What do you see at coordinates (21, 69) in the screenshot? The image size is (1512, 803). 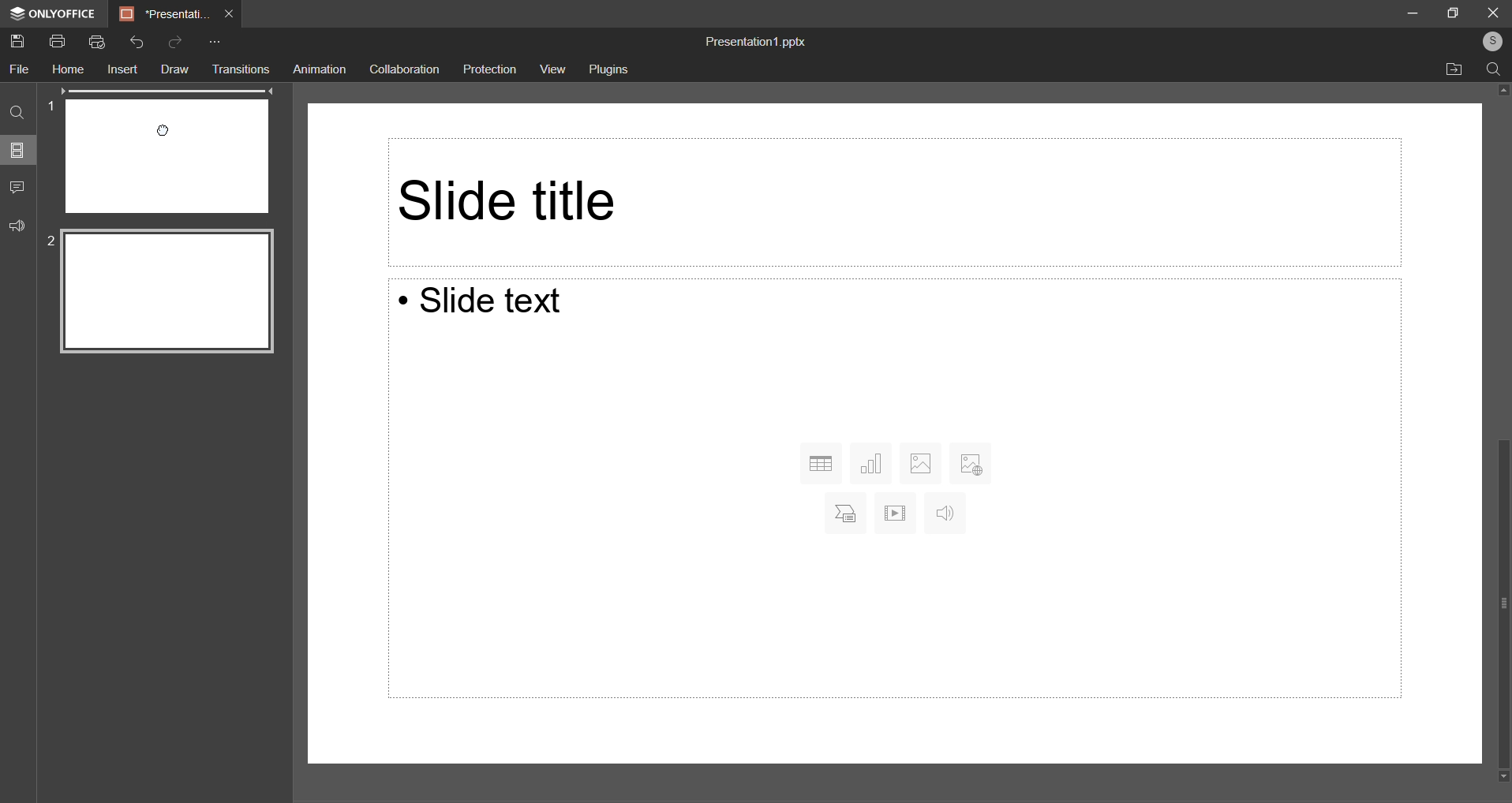 I see `File` at bounding box center [21, 69].